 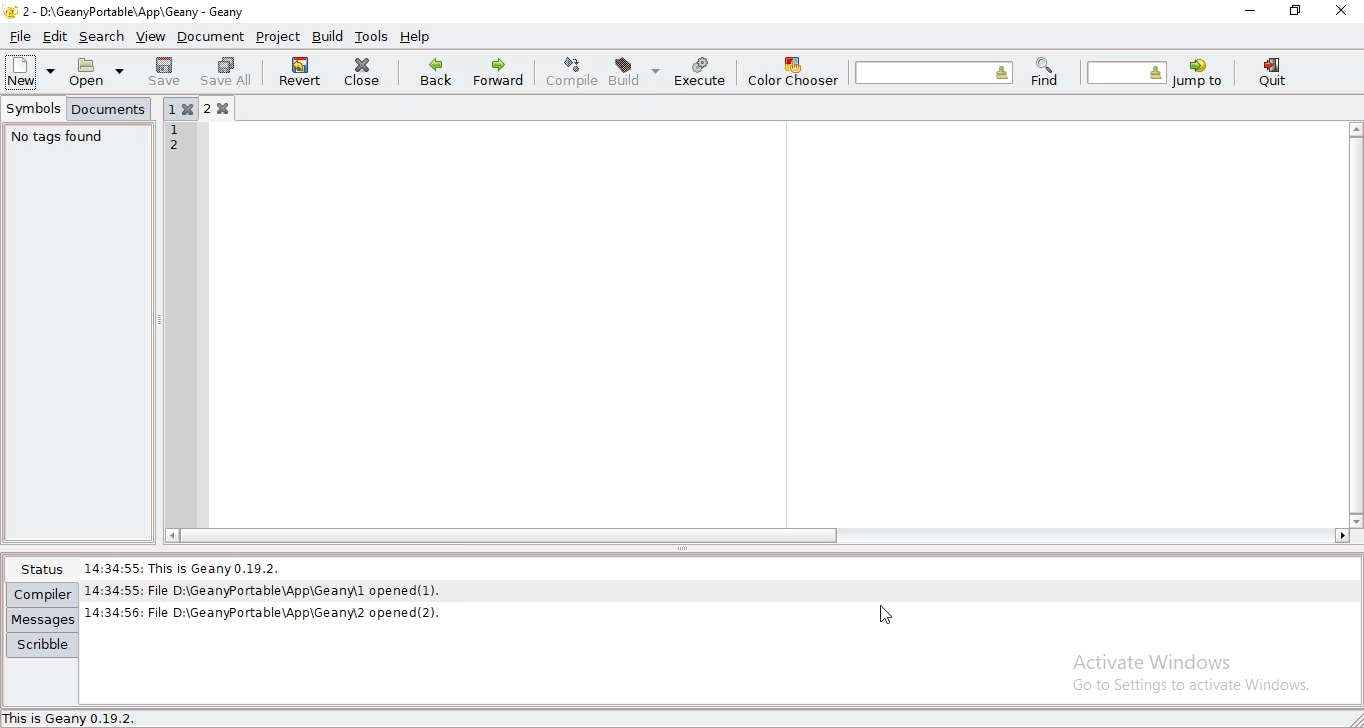 What do you see at coordinates (265, 611) in the screenshot?
I see `| 14:34:56: File D:\GeanyPortable\App\Geanw2 opened(2).` at bounding box center [265, 611].